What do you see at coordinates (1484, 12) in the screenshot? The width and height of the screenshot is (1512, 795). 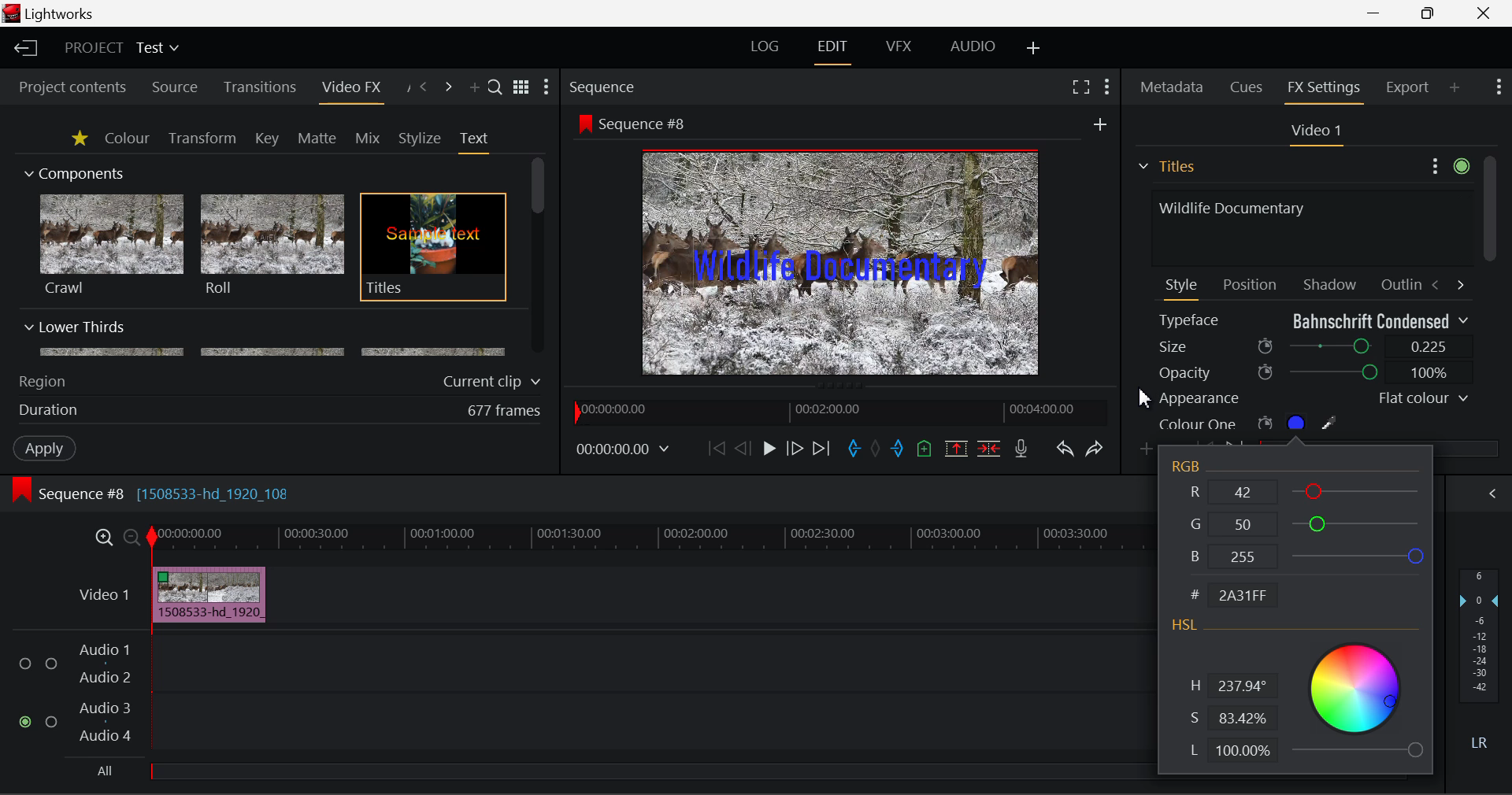 I see `Close` at bounding box center [1484, 12].